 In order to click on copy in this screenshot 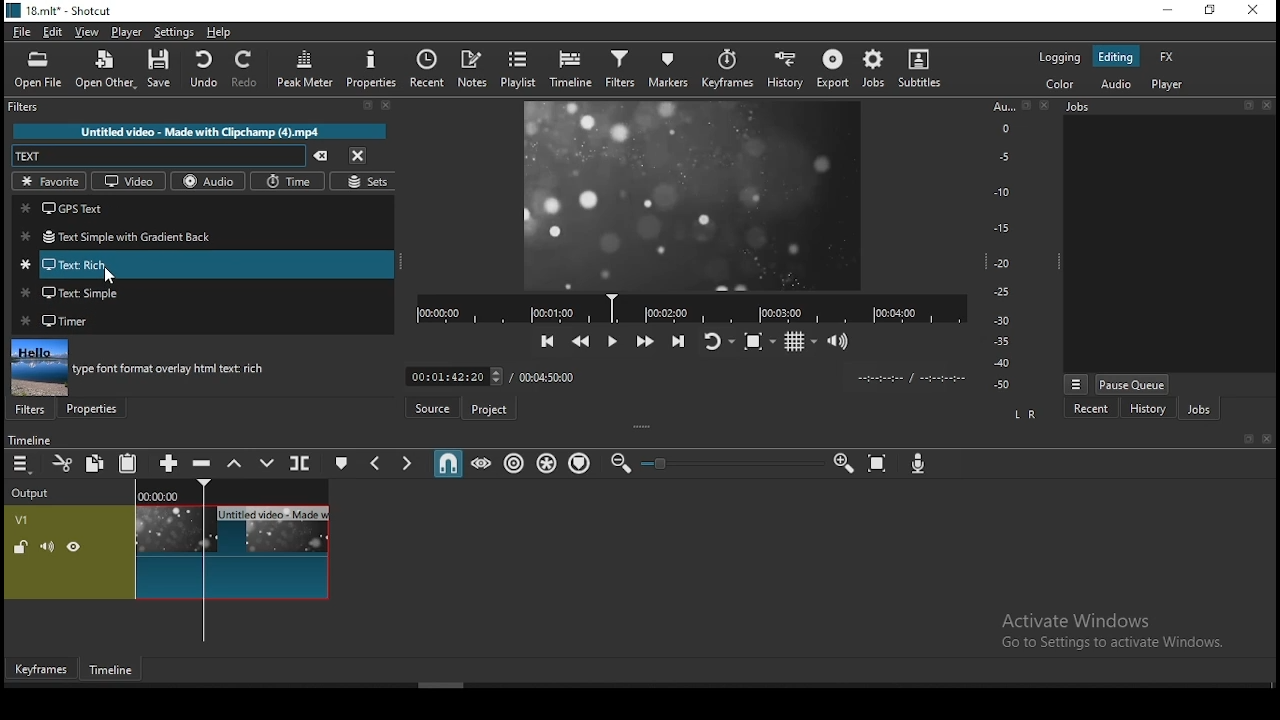, I will do `click(95, 462)`.